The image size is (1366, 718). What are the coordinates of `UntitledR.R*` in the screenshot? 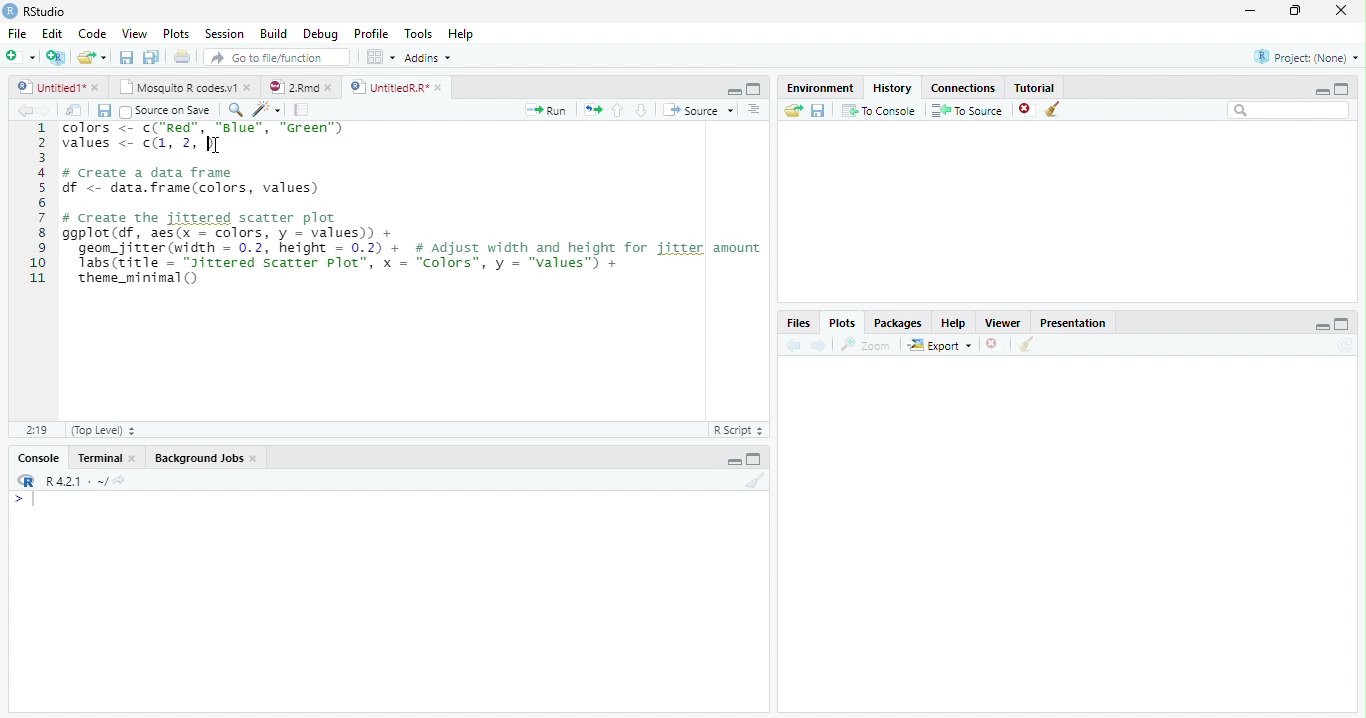 It's located at (388, 88).